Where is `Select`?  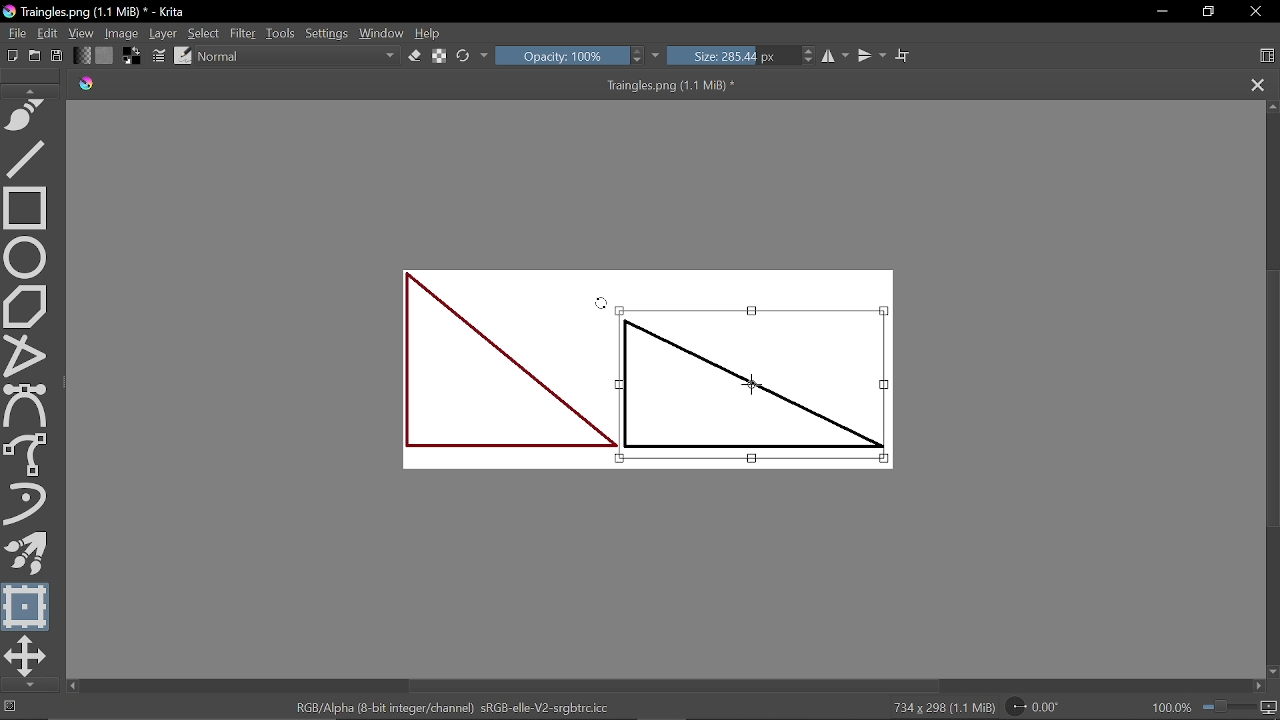 Select is located at coordinates (203, 33).